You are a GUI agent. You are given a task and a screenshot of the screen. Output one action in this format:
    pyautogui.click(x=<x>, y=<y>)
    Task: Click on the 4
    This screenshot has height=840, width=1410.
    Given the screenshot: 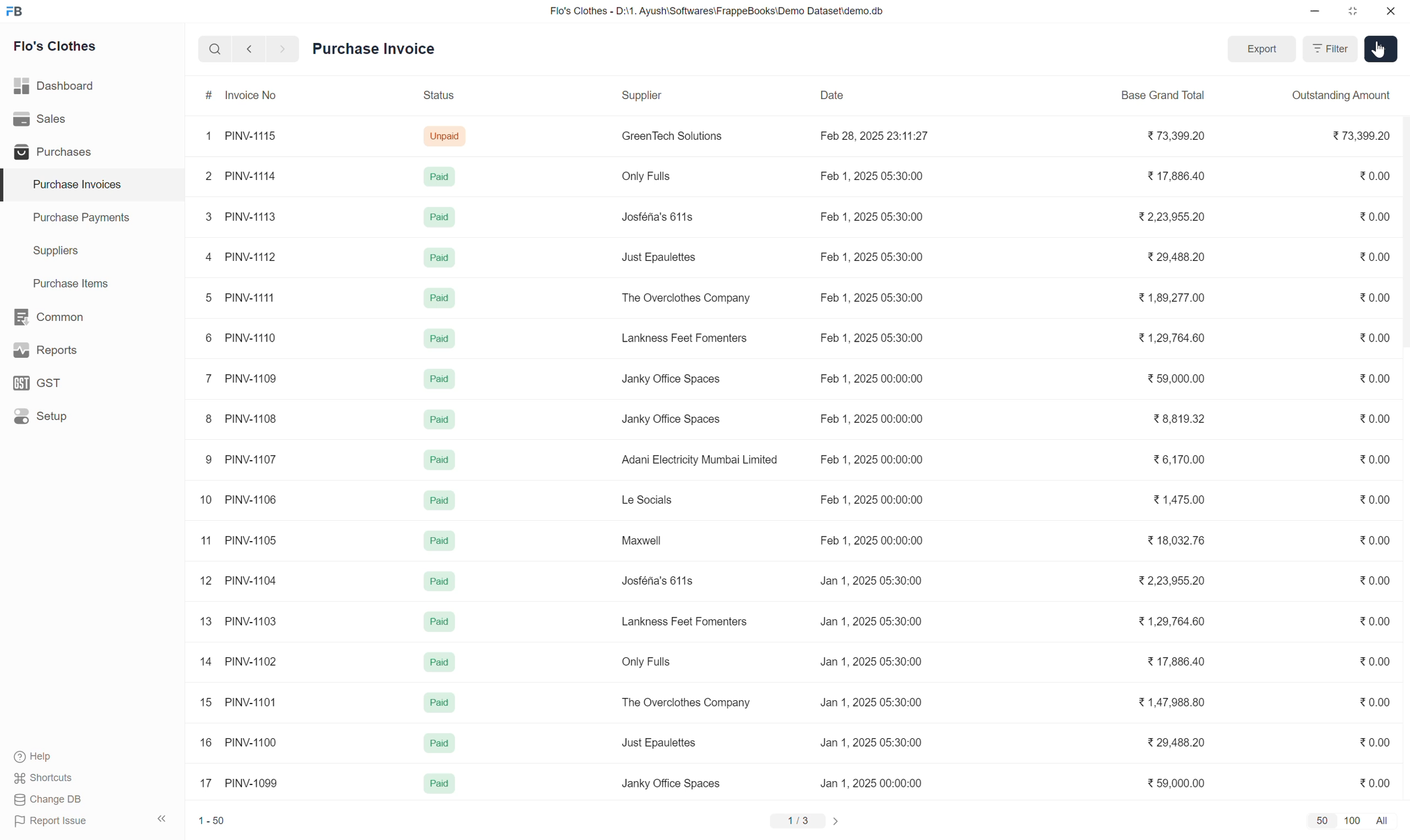 What is the action you would take?
    pyautogui.click(x=203, y=254)
    